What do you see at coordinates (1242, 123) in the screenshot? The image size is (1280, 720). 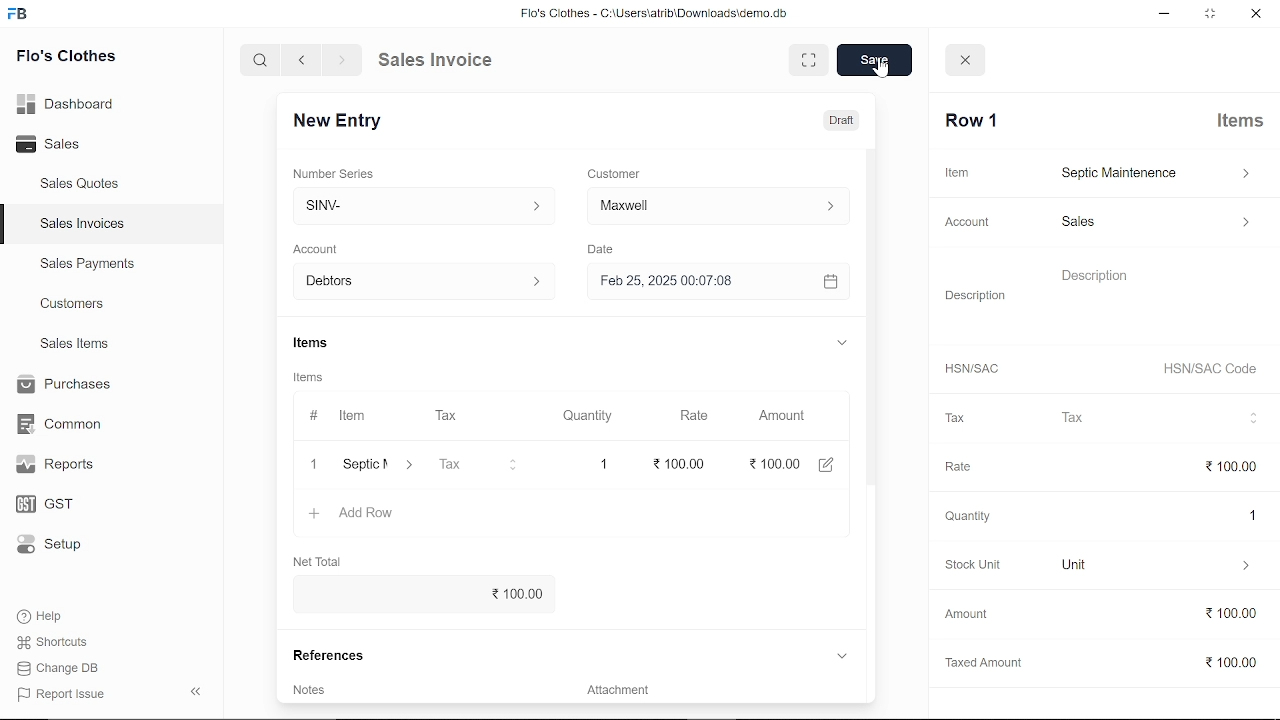 I see `Items` at bounding box center [1242, 123].